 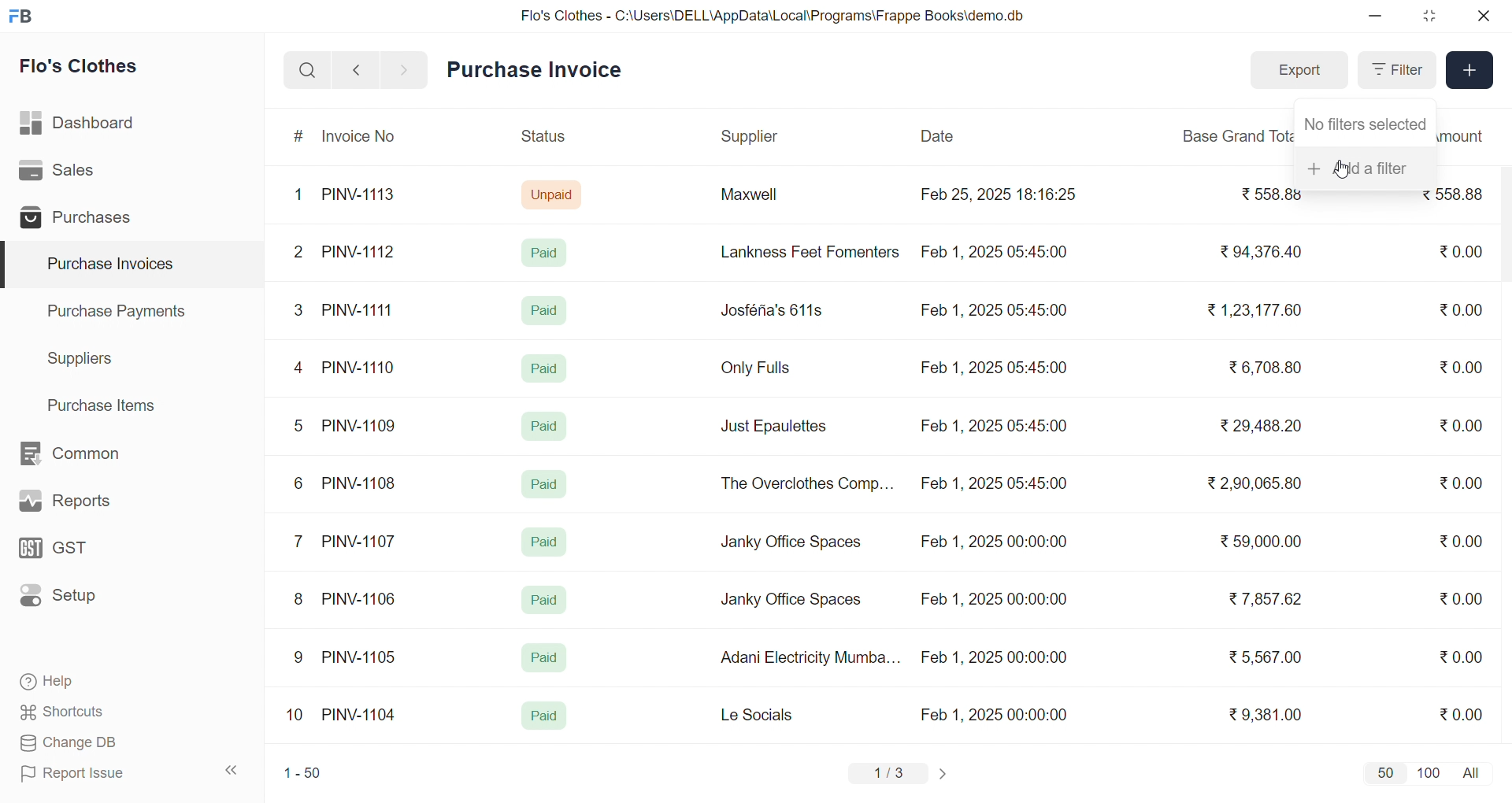 I want to click on Lankness Feet Fomenters, so click(x=800, y=252).